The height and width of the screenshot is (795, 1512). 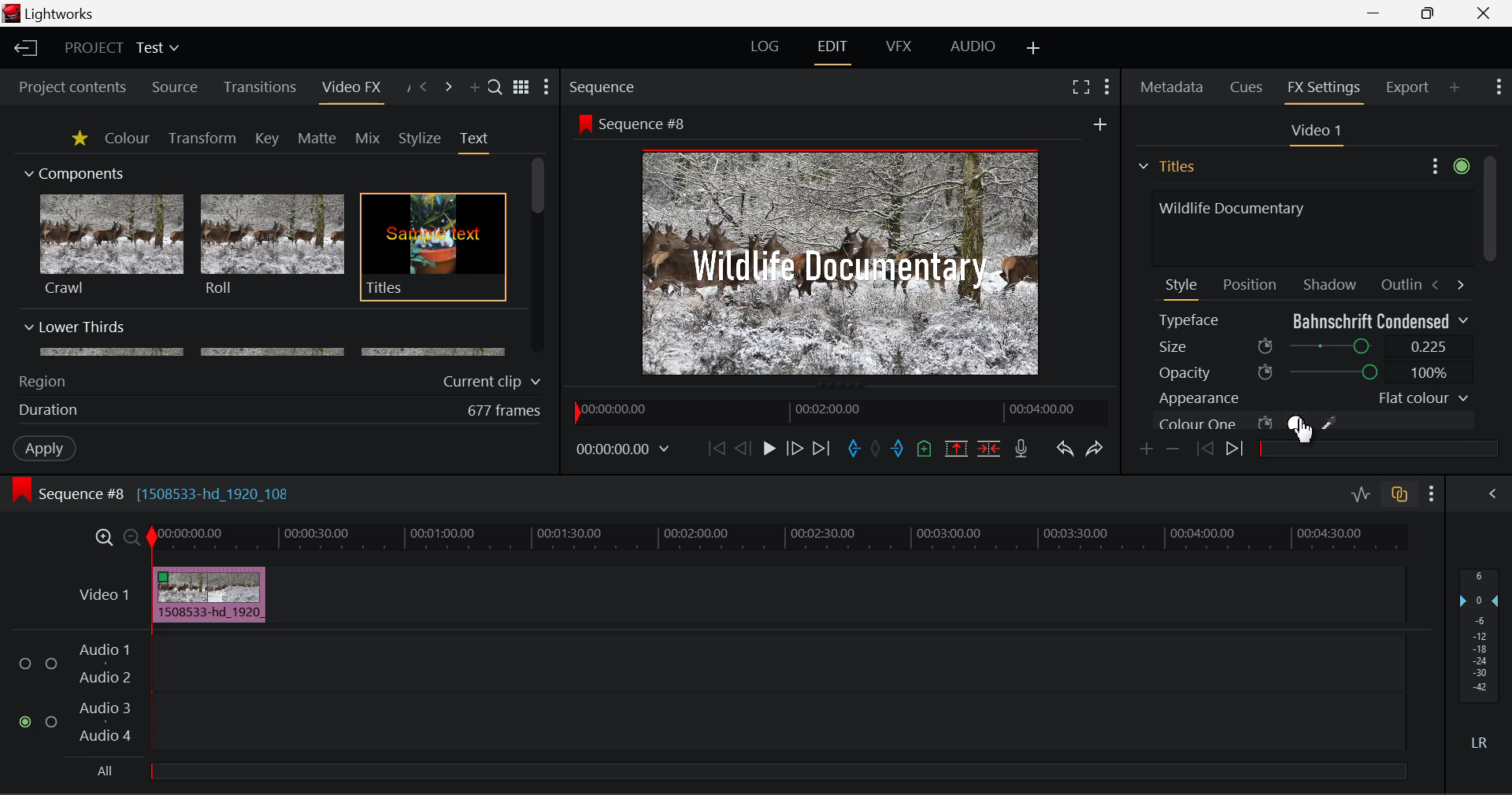 I want to click on Transitions, so click(x=260, y=87).